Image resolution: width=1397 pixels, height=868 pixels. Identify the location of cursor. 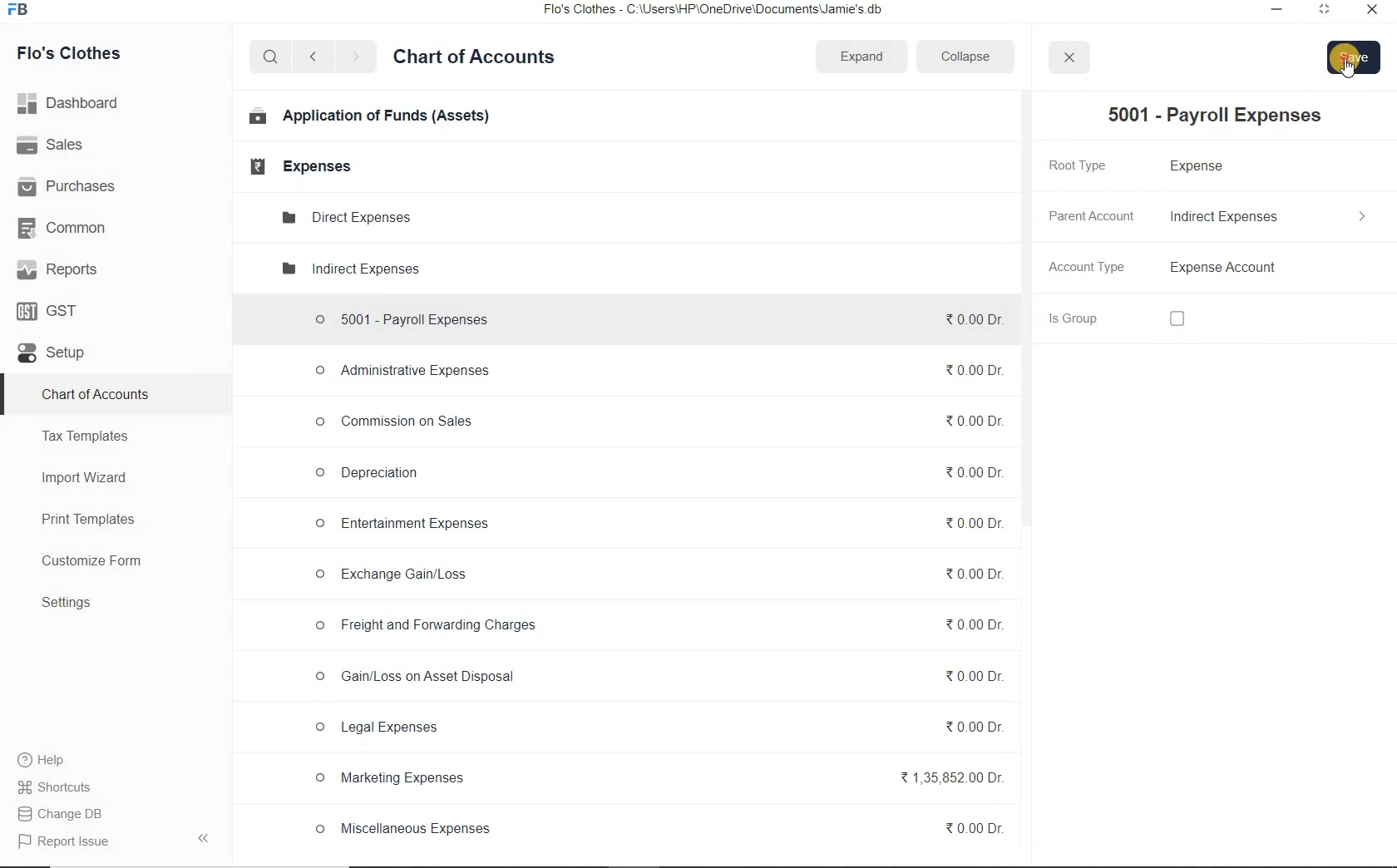
(1350, 72).